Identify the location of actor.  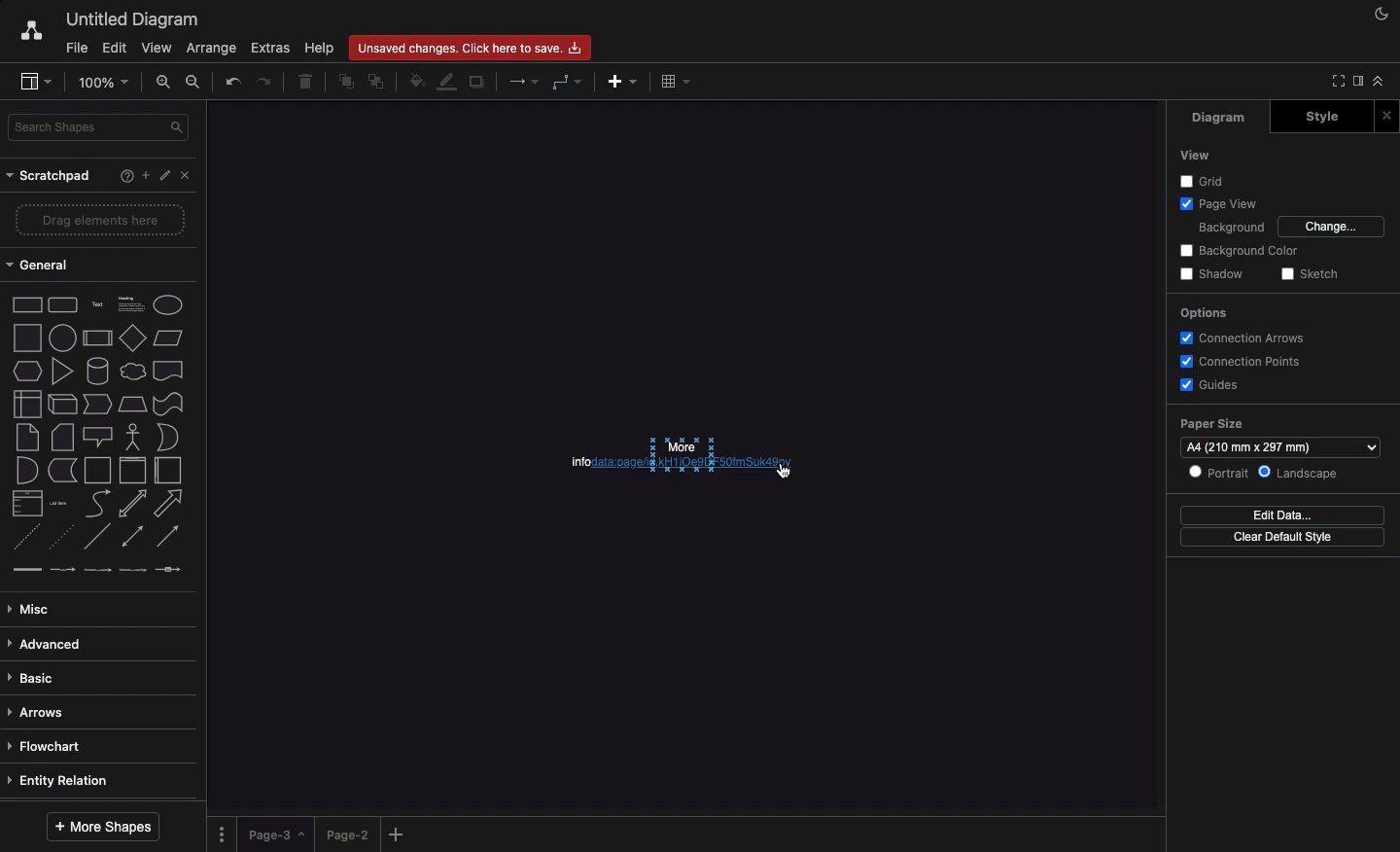
(131, 438).